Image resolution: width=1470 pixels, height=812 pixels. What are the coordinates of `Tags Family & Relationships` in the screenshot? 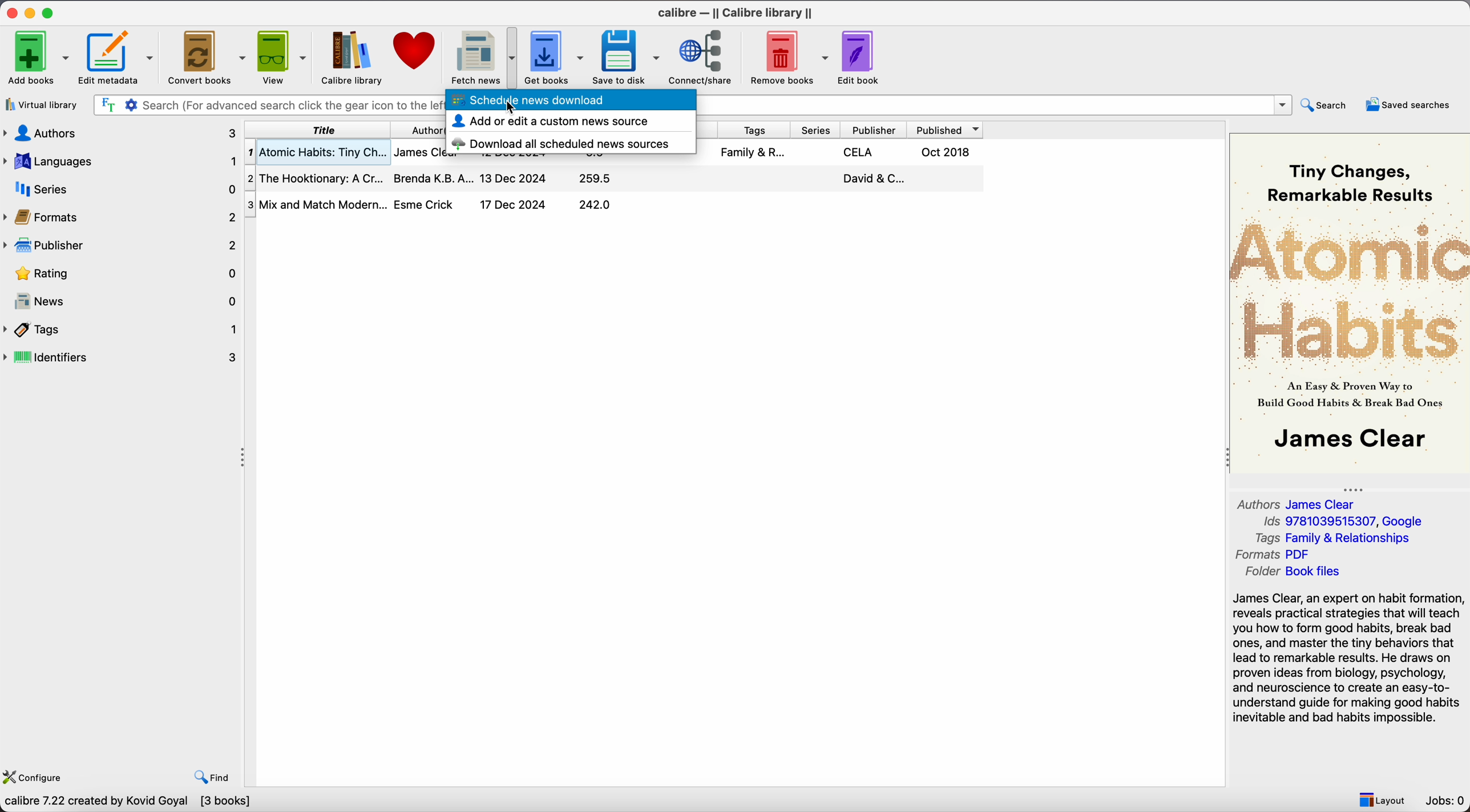 It's located at (1338, 538).